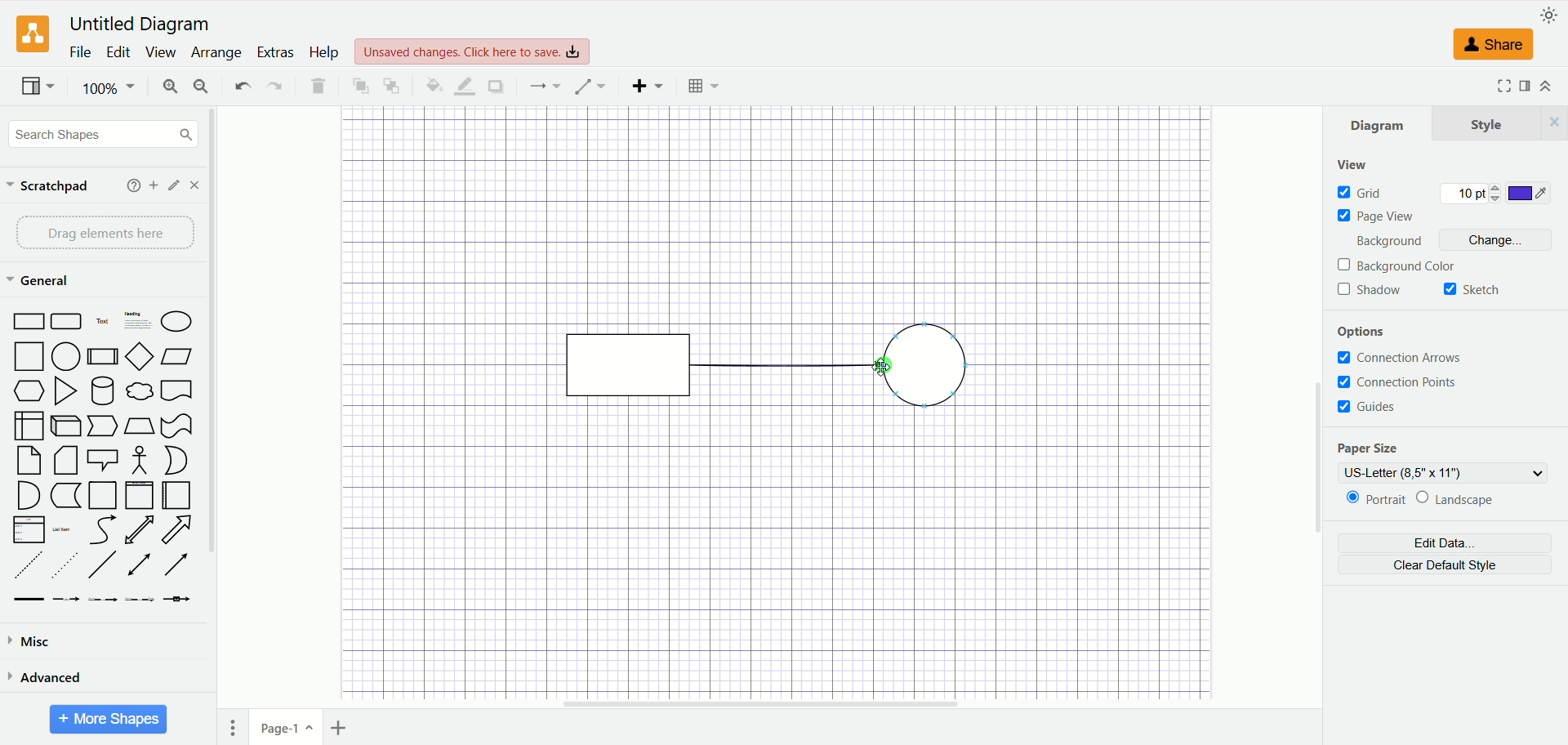 This screenshot has width=1568, height=745. I want to click on Circle, so click(69, 356).